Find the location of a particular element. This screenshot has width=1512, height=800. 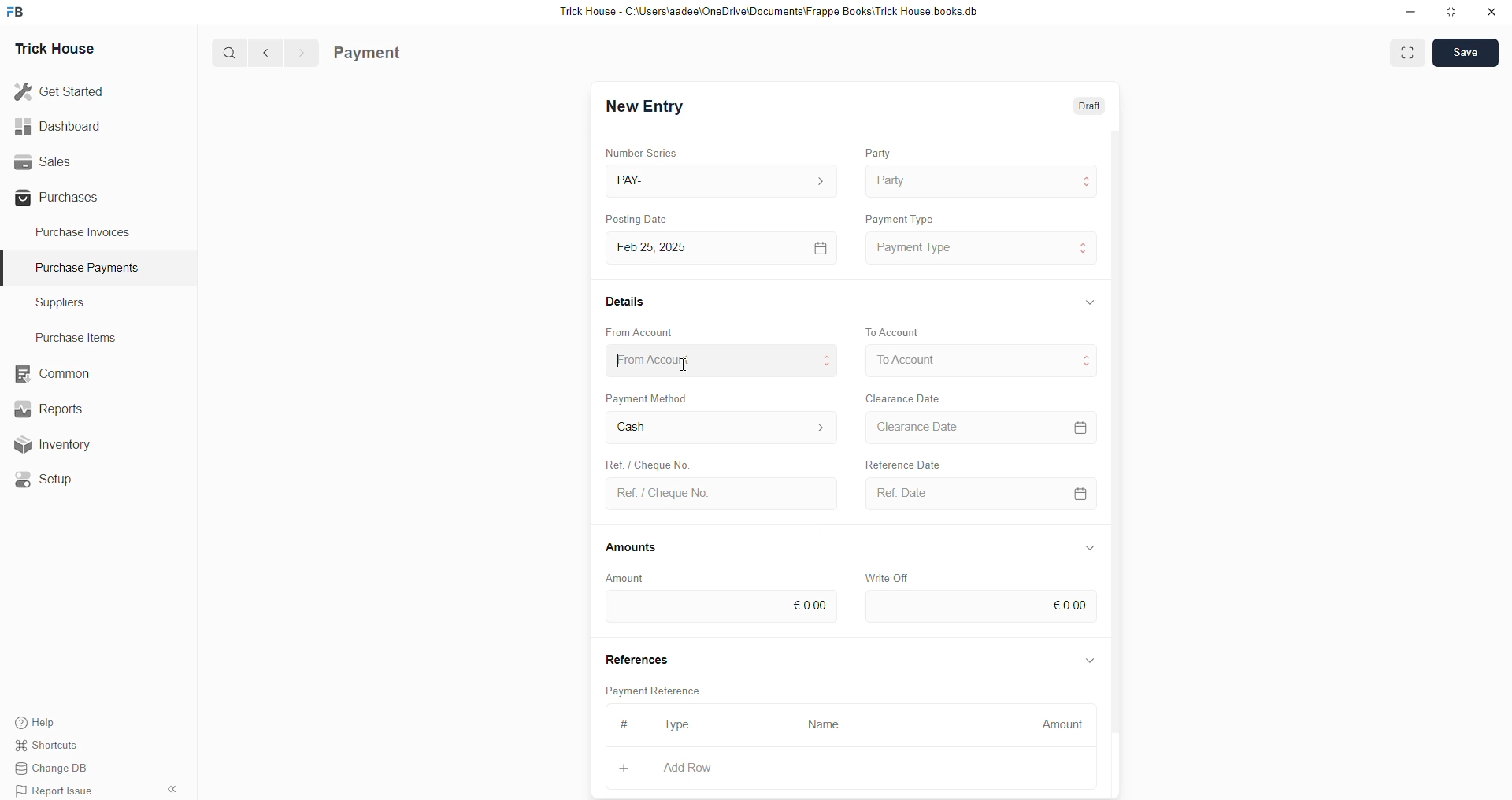

Cash is located at coordinates (638, 427).